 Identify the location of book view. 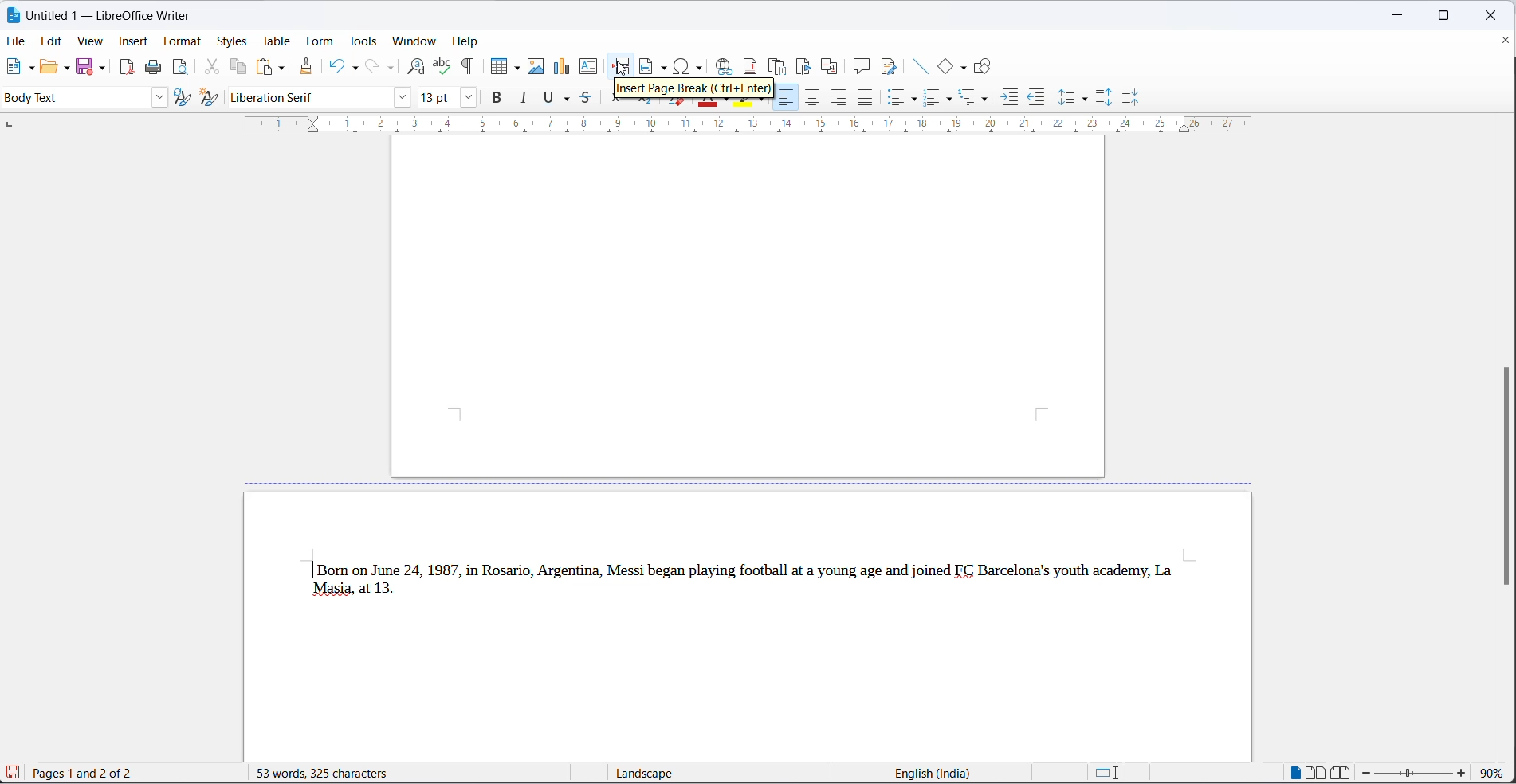
(1341, 774).